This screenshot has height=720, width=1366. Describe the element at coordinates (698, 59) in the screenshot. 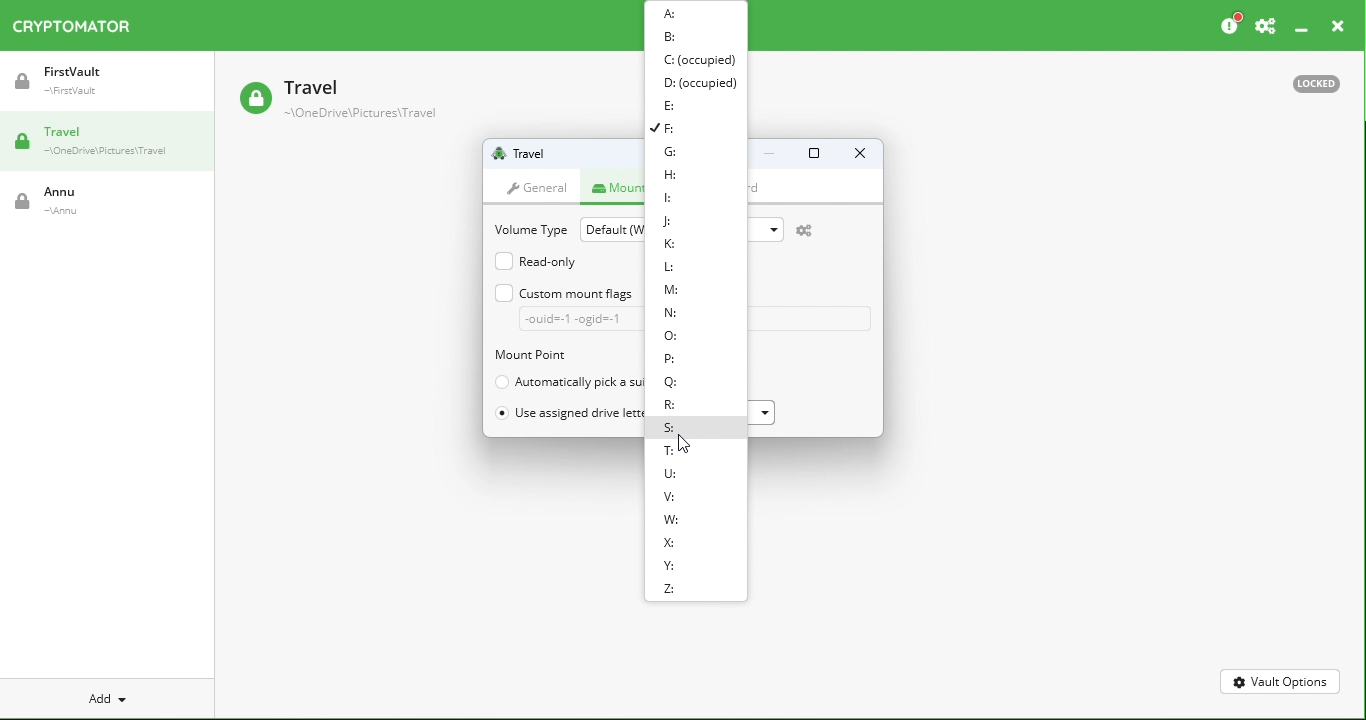

I see `C:` at that location.